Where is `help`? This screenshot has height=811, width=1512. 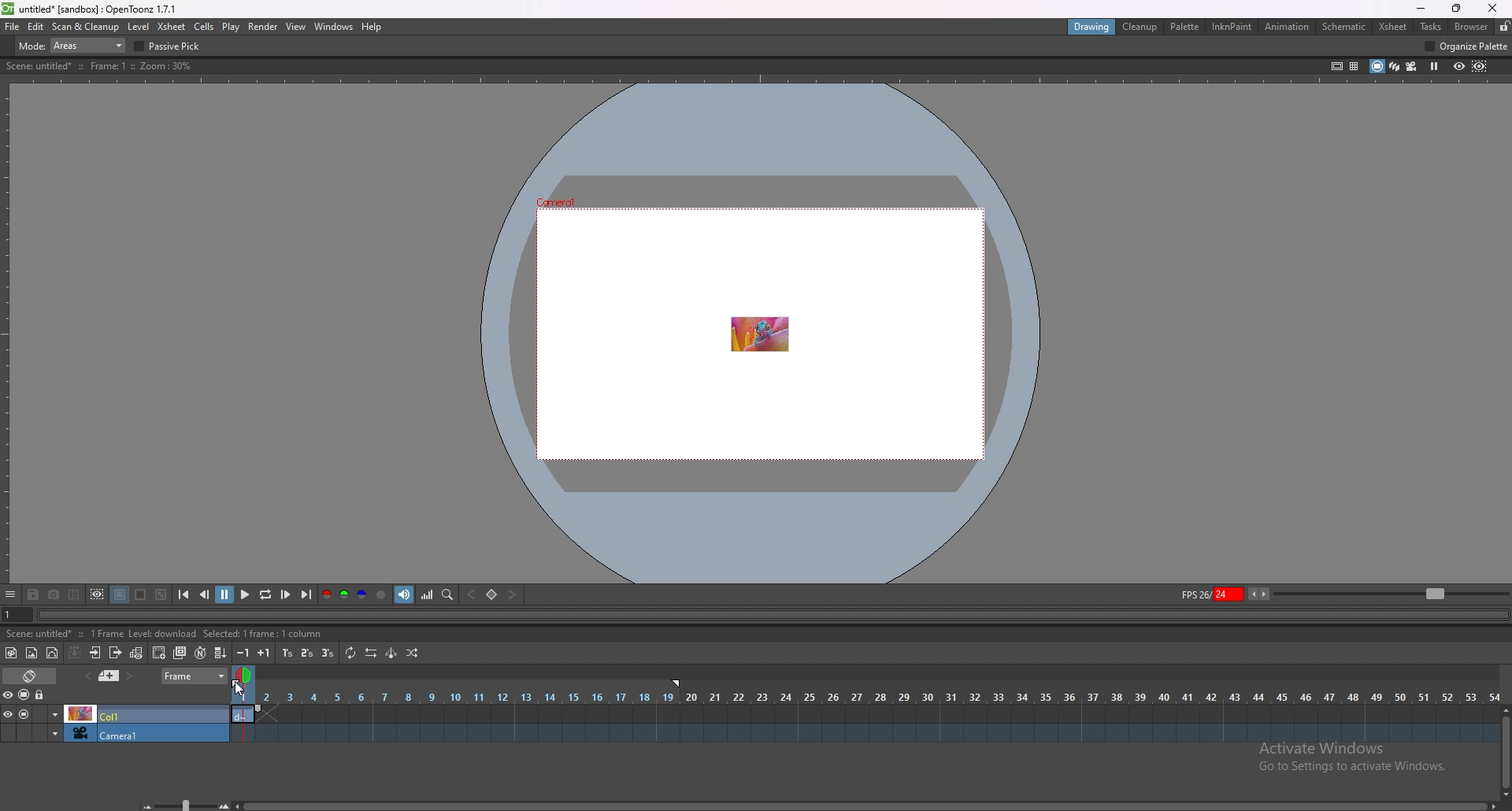 help is located at coordinates (371, 27).